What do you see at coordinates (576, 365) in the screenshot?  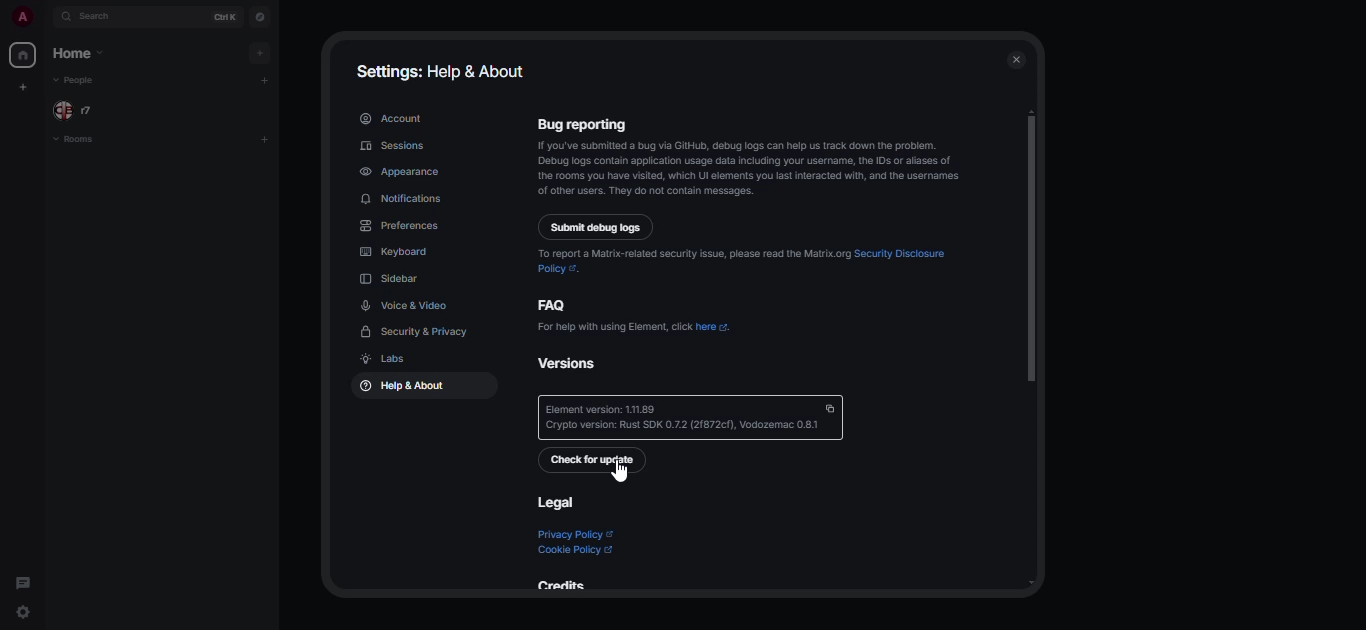 I see `versions` at bounding box center [576, 365].